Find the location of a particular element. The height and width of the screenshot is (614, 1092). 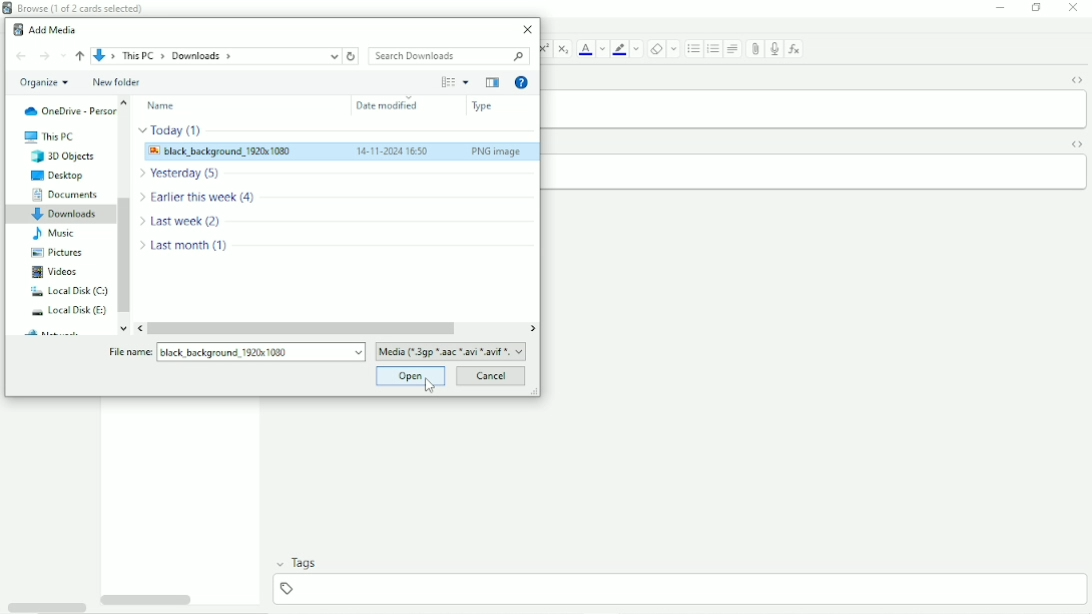

Text Highlight color is located at coordinates (619, 49).